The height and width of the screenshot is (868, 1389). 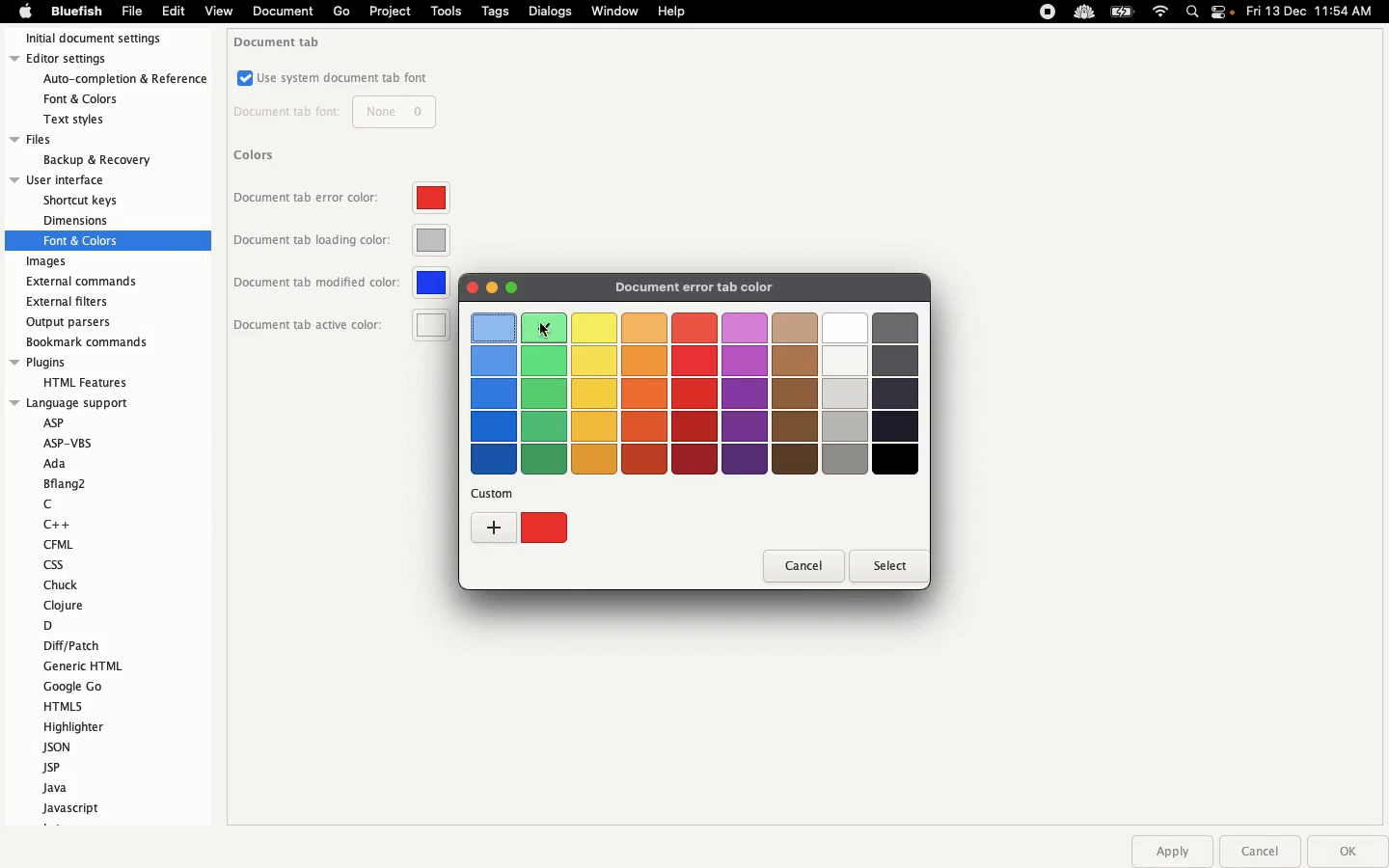 I want to click on Dialogs, so click(x=550, y=11).